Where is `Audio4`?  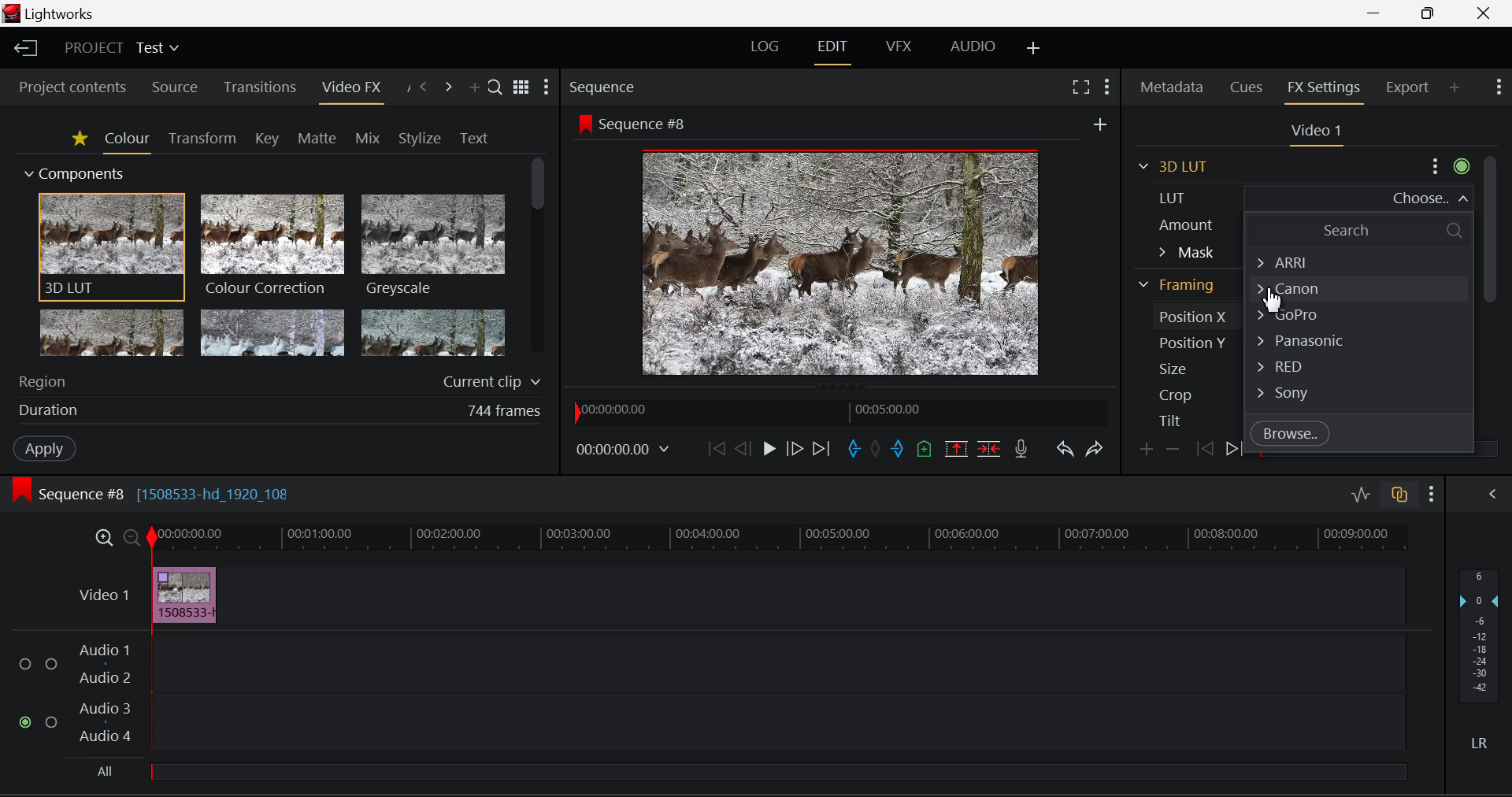 Audio4 is located at coordinates (106, 736).